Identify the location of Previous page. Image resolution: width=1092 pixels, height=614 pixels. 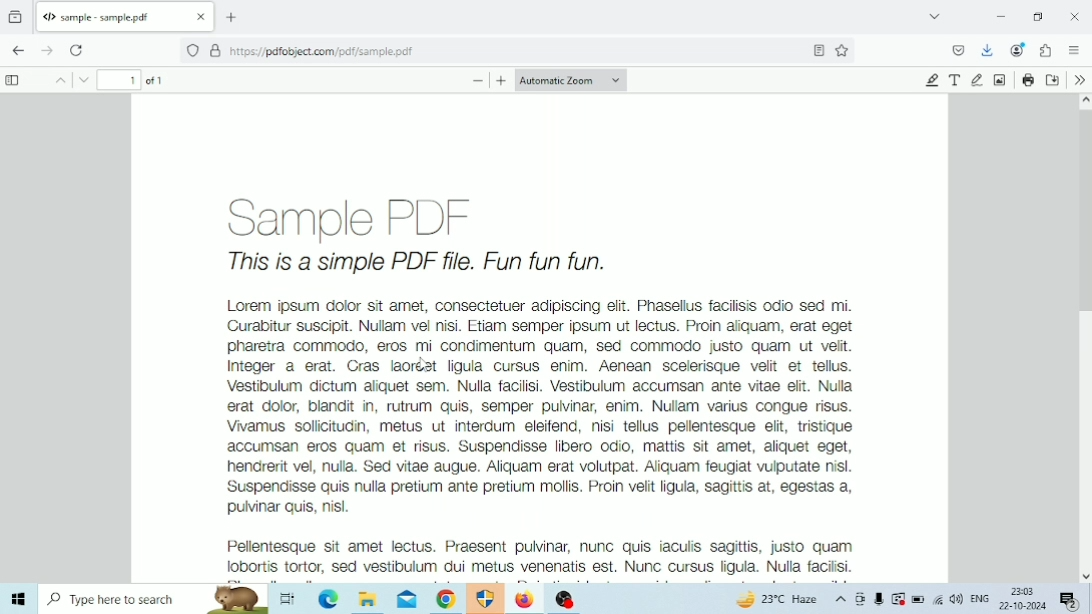
(61, 80).